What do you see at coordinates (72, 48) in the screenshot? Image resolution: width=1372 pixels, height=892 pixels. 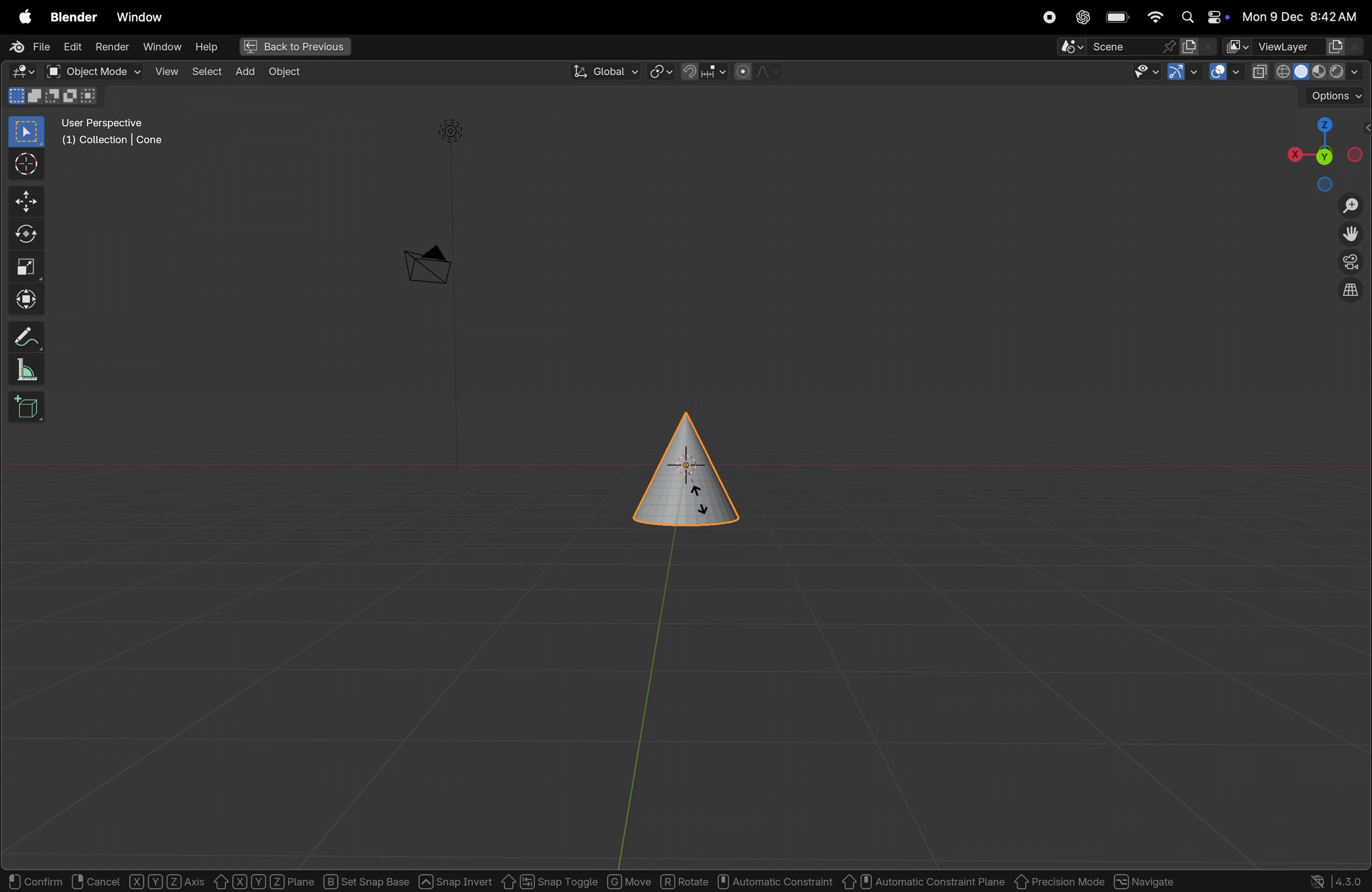 I see `Edit` at bounding box center [72, 48].